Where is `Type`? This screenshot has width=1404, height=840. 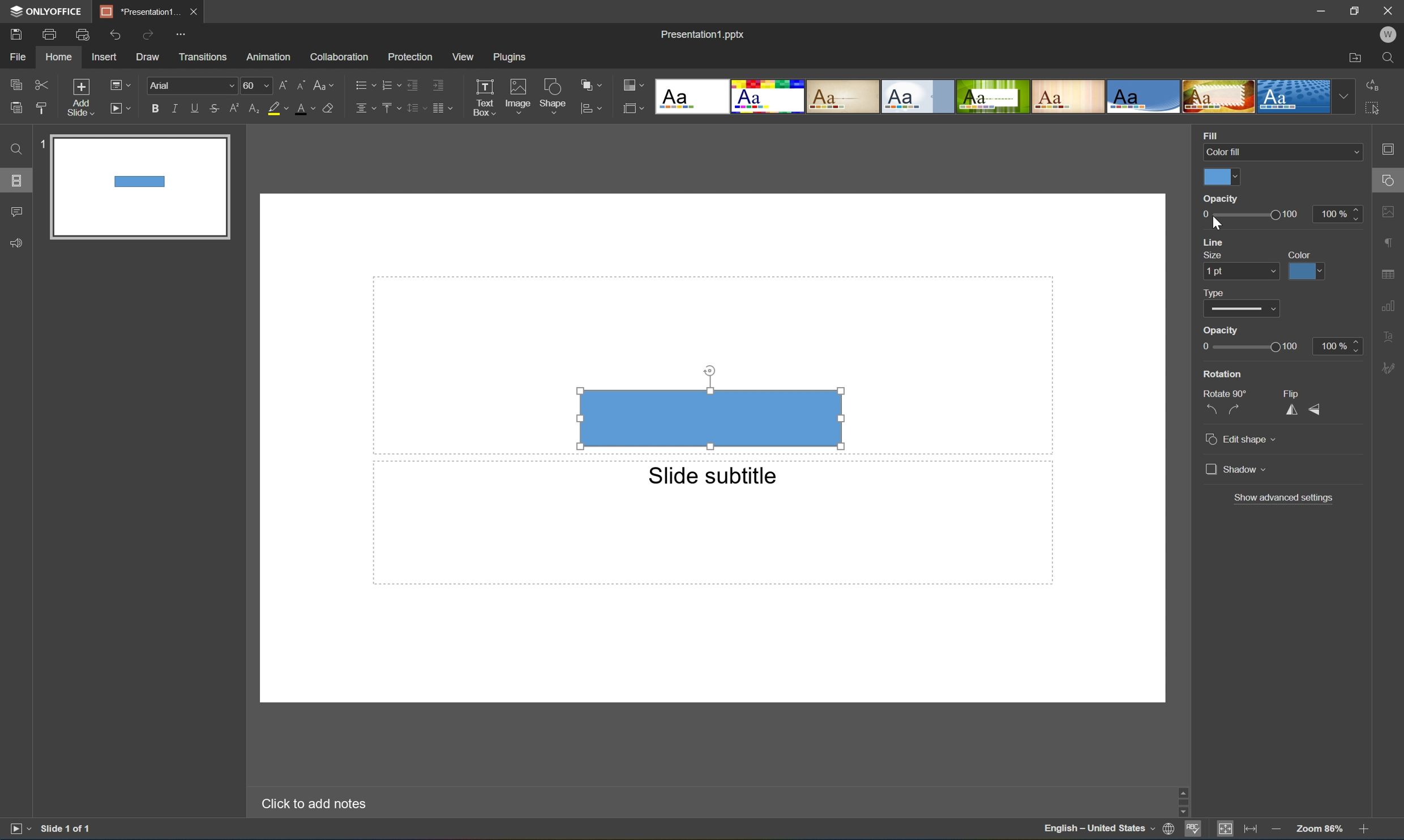
Type is located at coordinates (1238, 310).